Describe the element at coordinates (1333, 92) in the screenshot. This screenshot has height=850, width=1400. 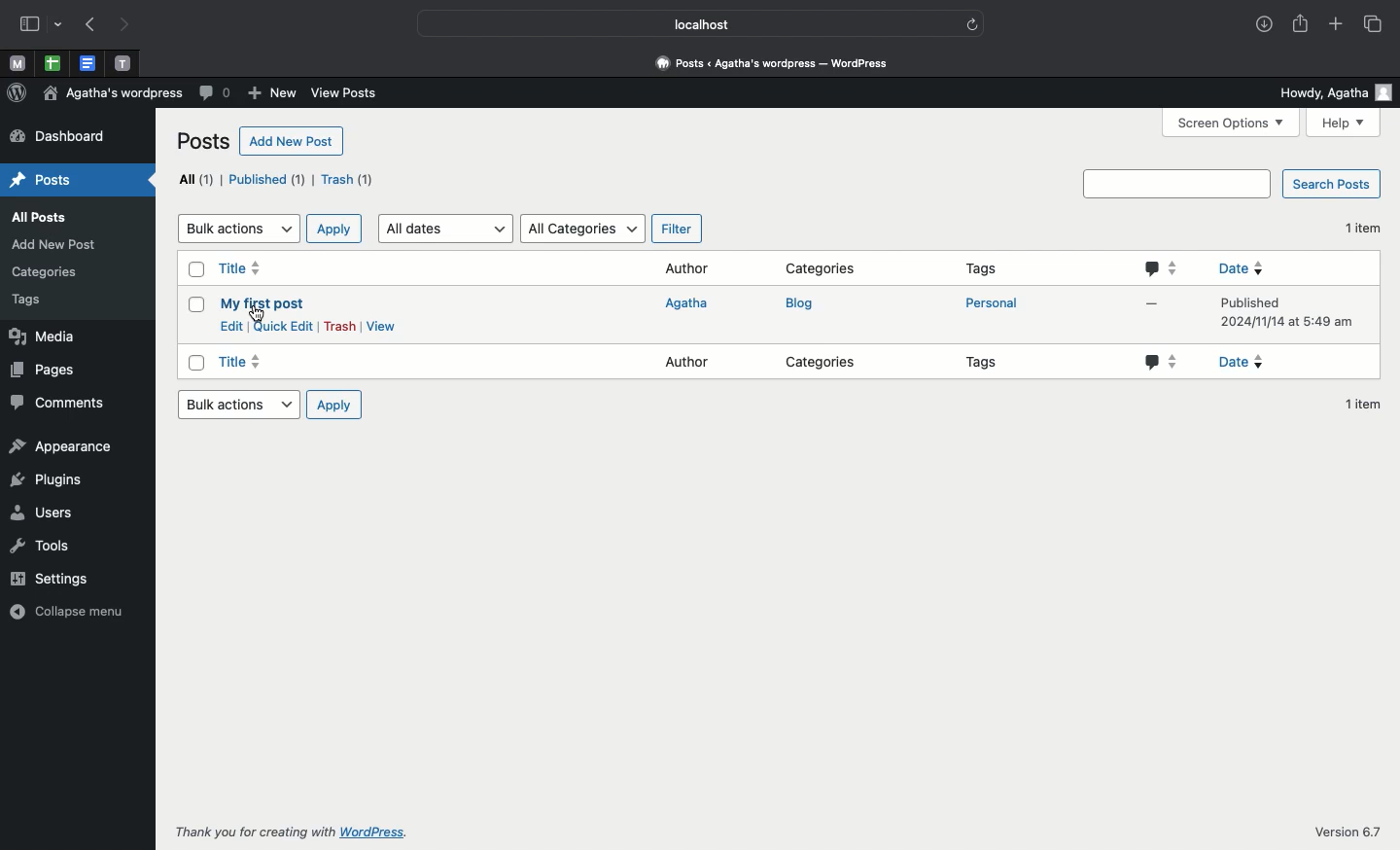
I see `Howdy user` at that location.